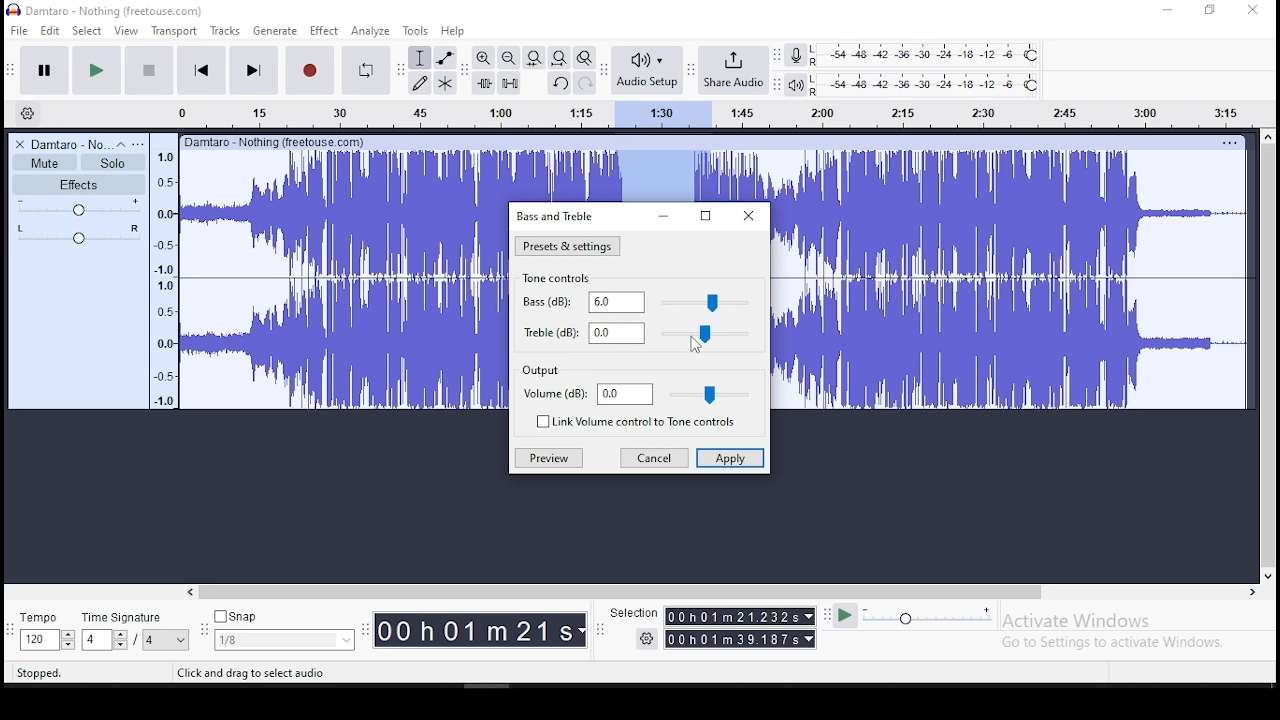 The width and height of the screenshot is (1280, 720). What do you see at coordinates (926, 85) in the screenshot?
I see `playback level` at bounding box center [926, 85].